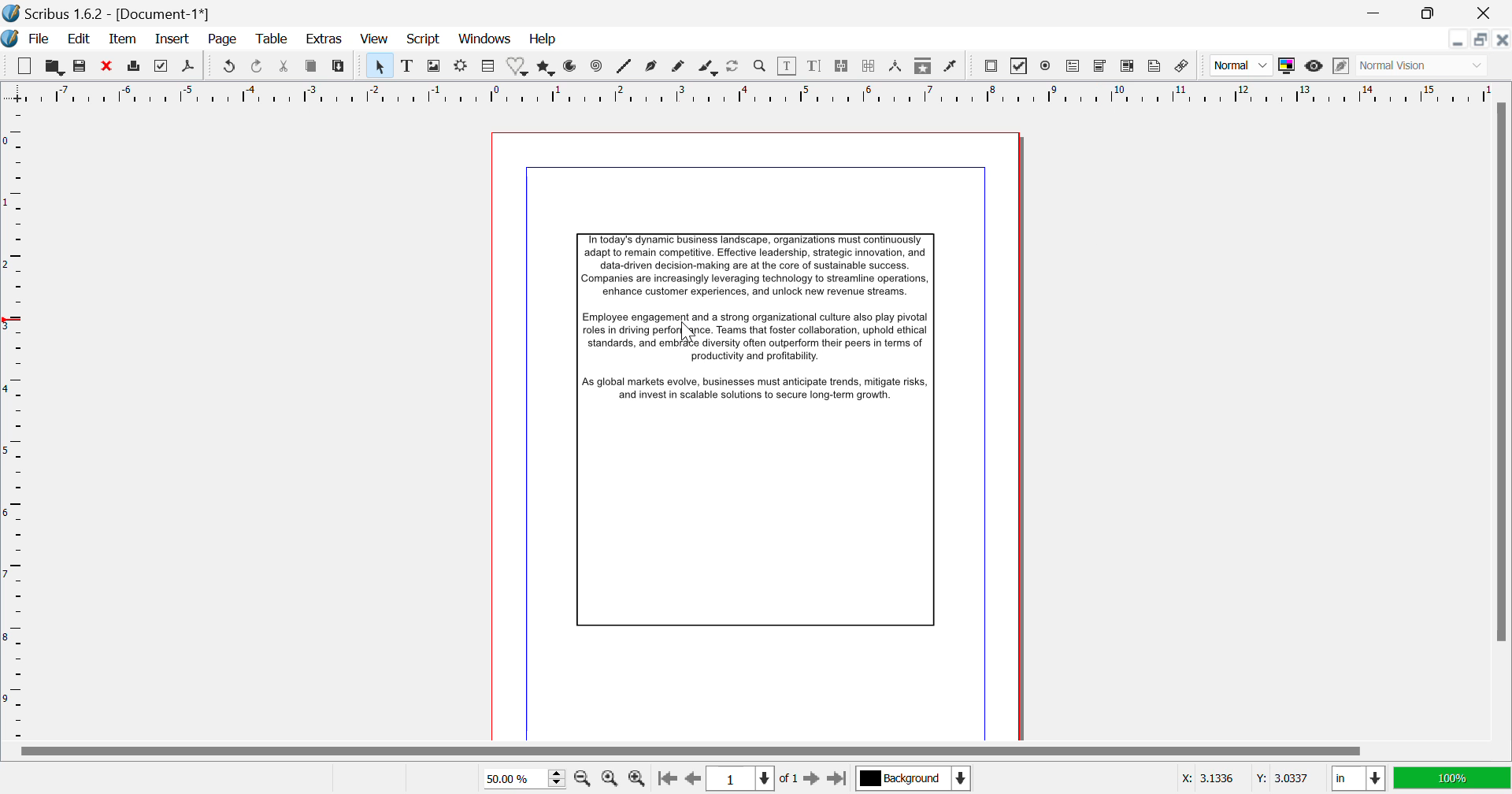 This screenshot has height=794, width=1512. Describe the element at coordinates (485, 39) in the screenshot. I see `Windows` at that location.